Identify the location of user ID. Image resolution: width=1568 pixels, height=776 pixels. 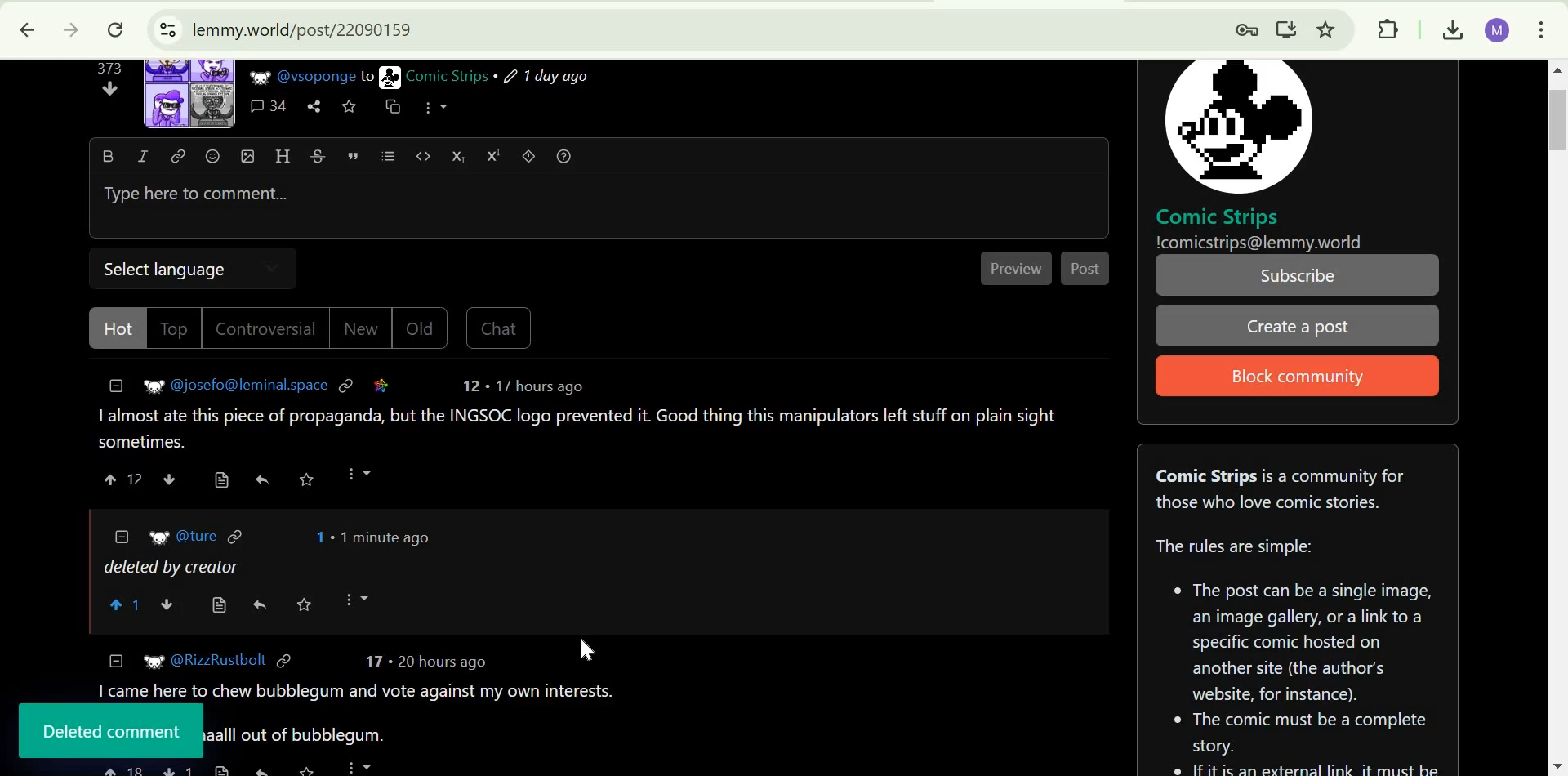
(198, 536).